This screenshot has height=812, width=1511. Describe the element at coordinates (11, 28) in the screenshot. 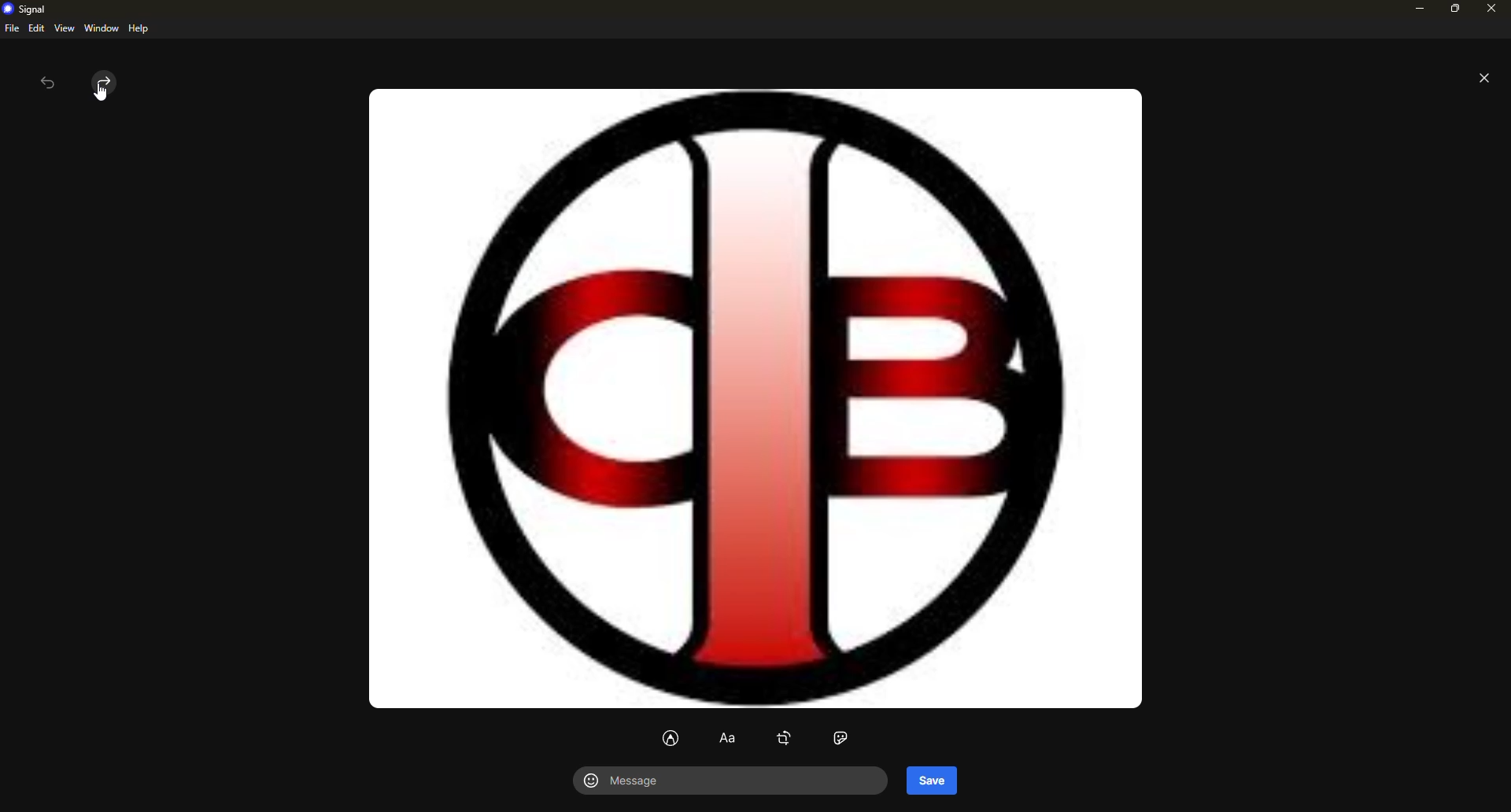

I see `file` at that location.